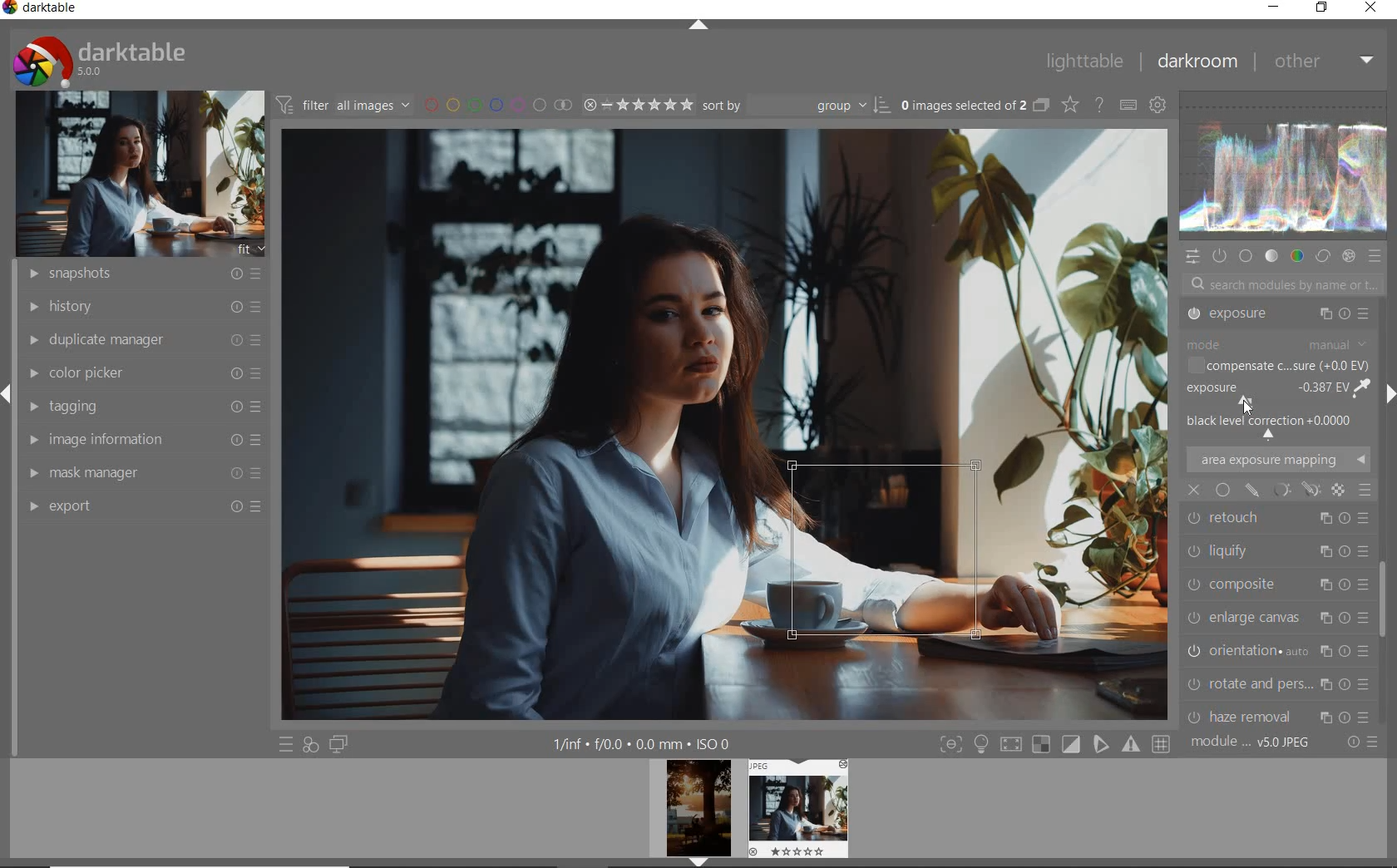 Image resolution: width=1397 pixels, height=868 pixels. Describe the element at coordinates (1370, 8) in the screenshot. I see `CLOSE` at that location.